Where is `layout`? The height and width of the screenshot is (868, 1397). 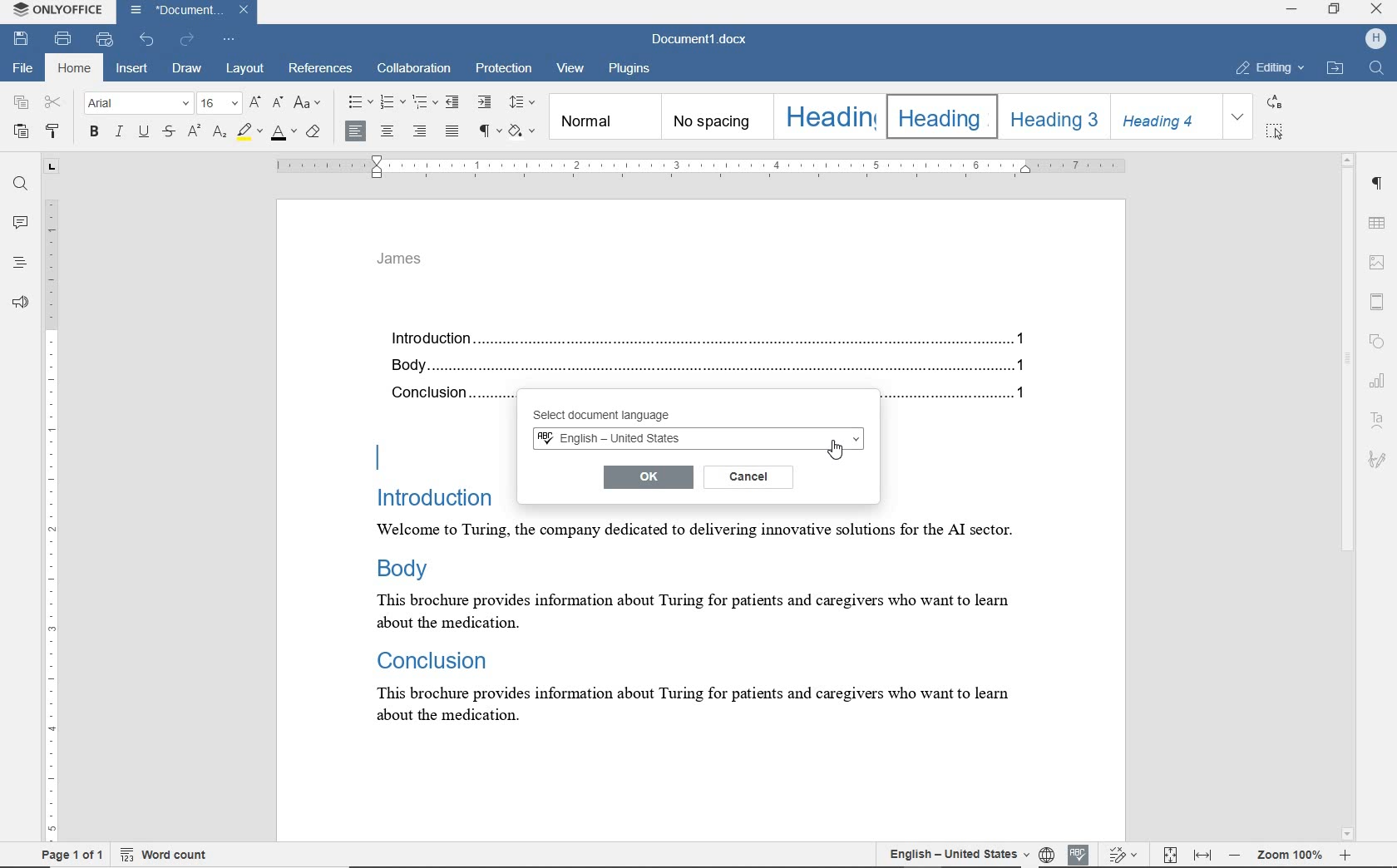
layout is located at coordinates (245, 70).